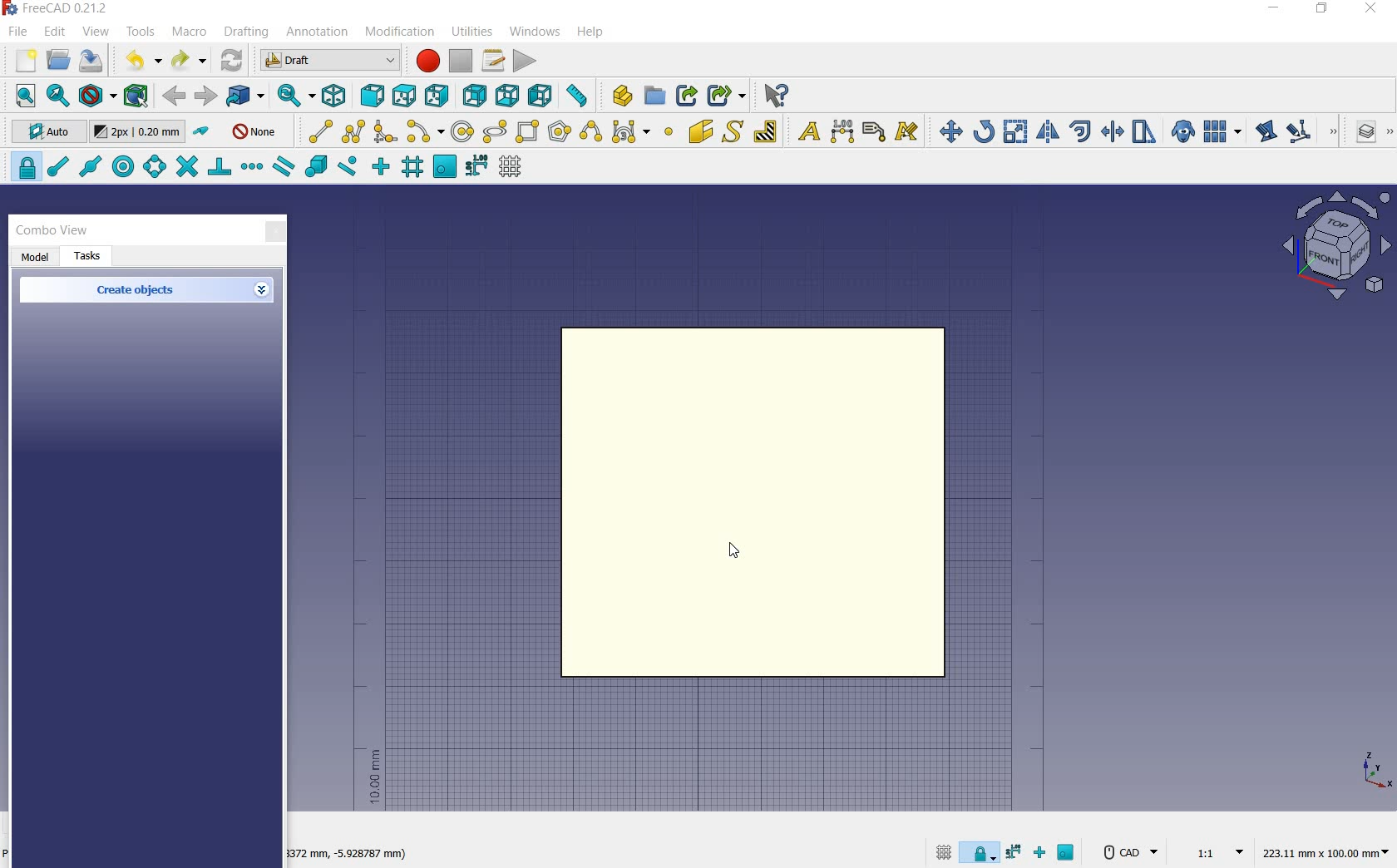 Image resolution: width=1397 pixels, height=868 pixels. Describe the element at coordinates (443, 167) in the screenshot. I see `snap working plane` at that location.